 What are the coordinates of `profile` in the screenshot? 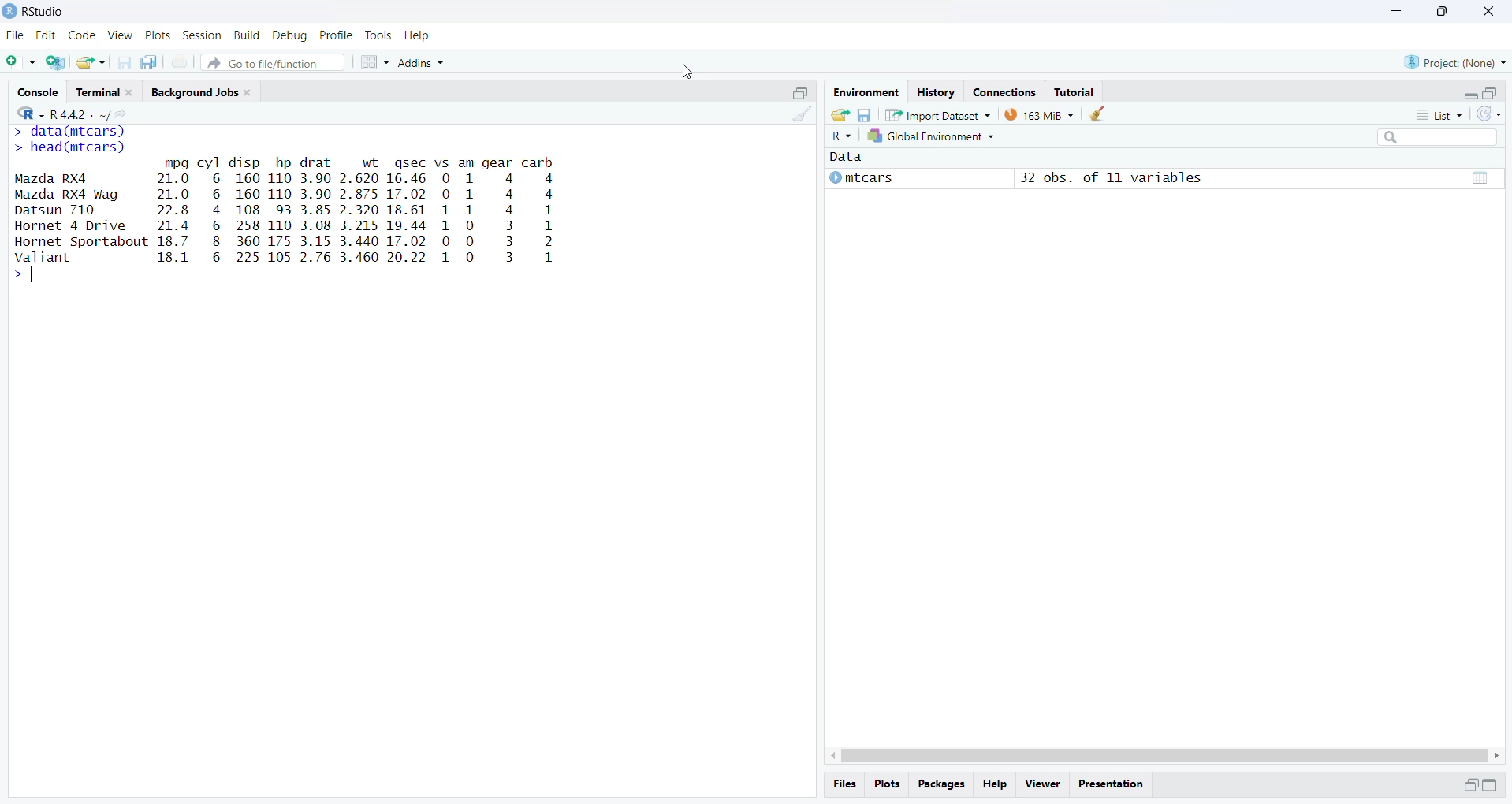 It's located at (337, 35).